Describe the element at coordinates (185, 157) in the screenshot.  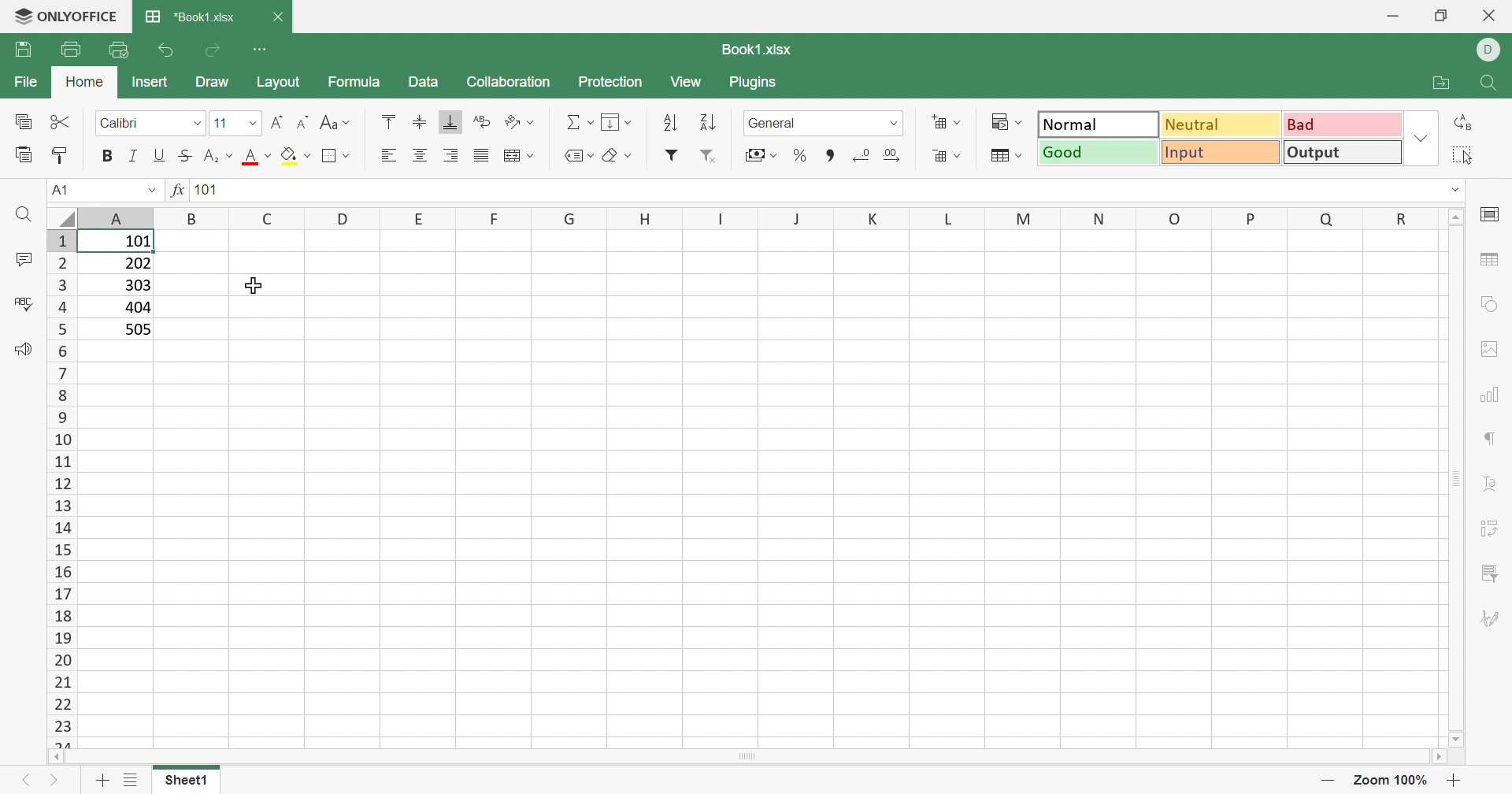
I see `Strikethrough` at that location.